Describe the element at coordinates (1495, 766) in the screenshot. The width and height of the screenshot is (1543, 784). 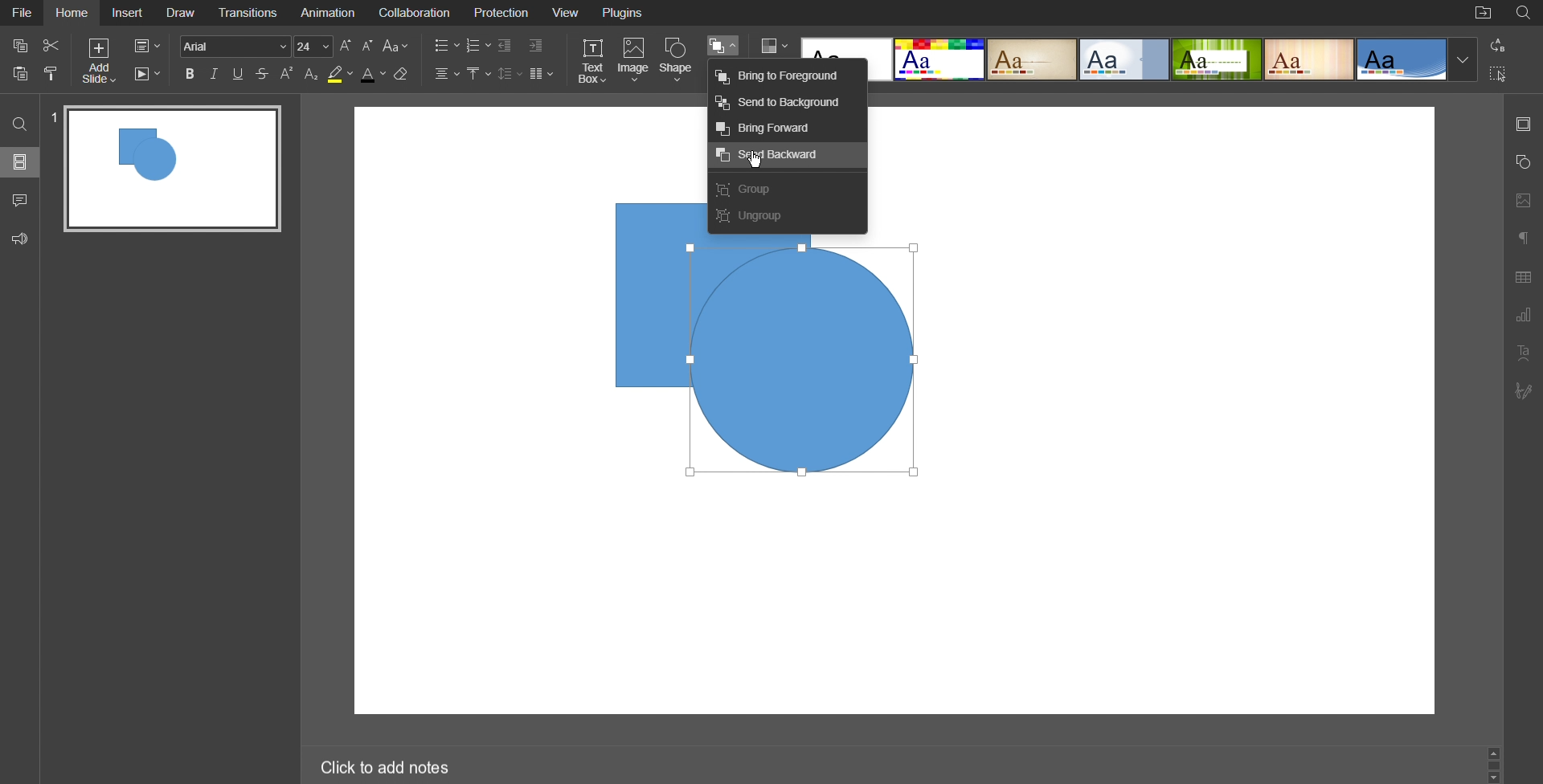
I see `Scroll Bar` at that location.